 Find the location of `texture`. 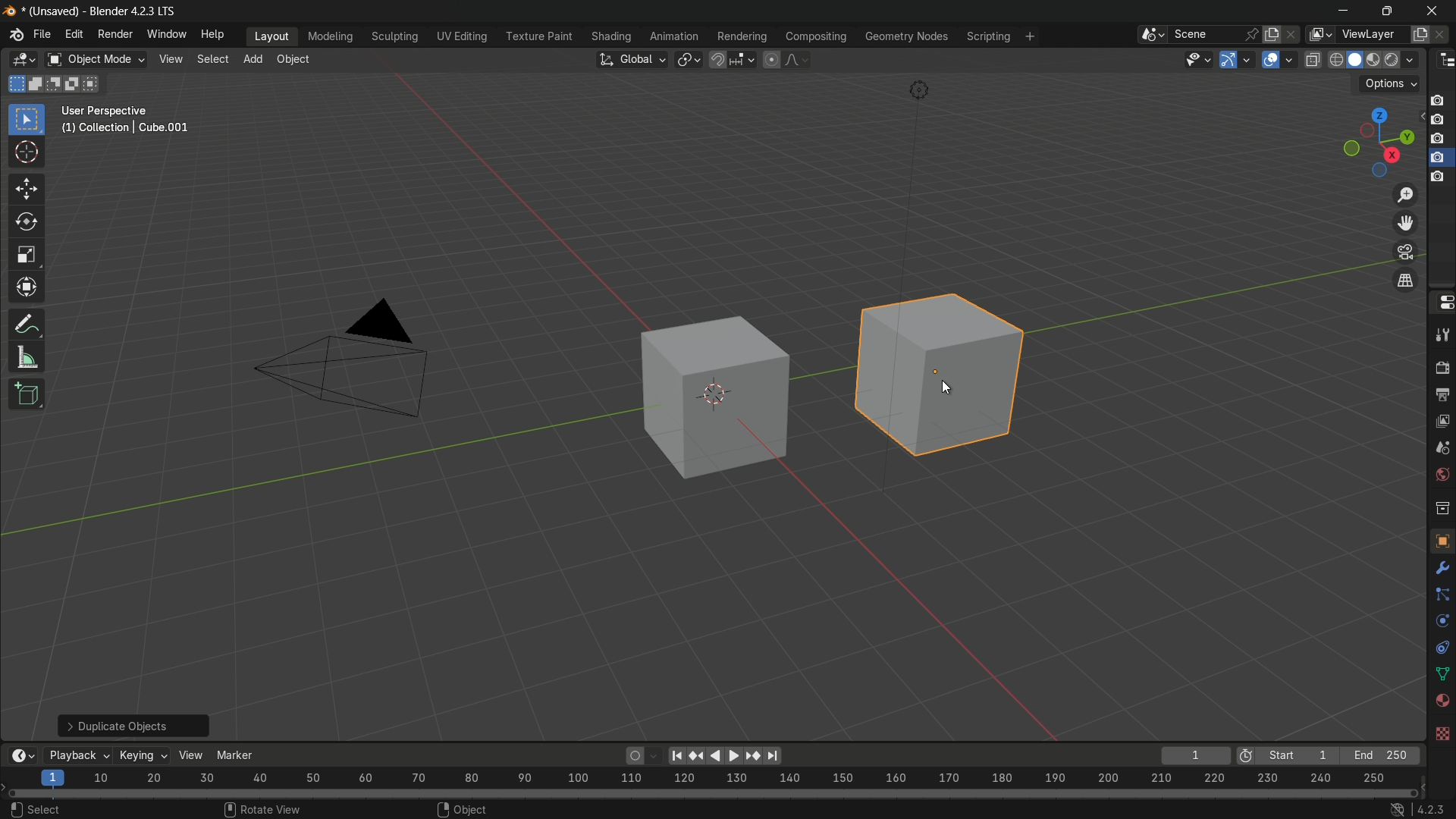

texture is located at coordinates (1442, 735).